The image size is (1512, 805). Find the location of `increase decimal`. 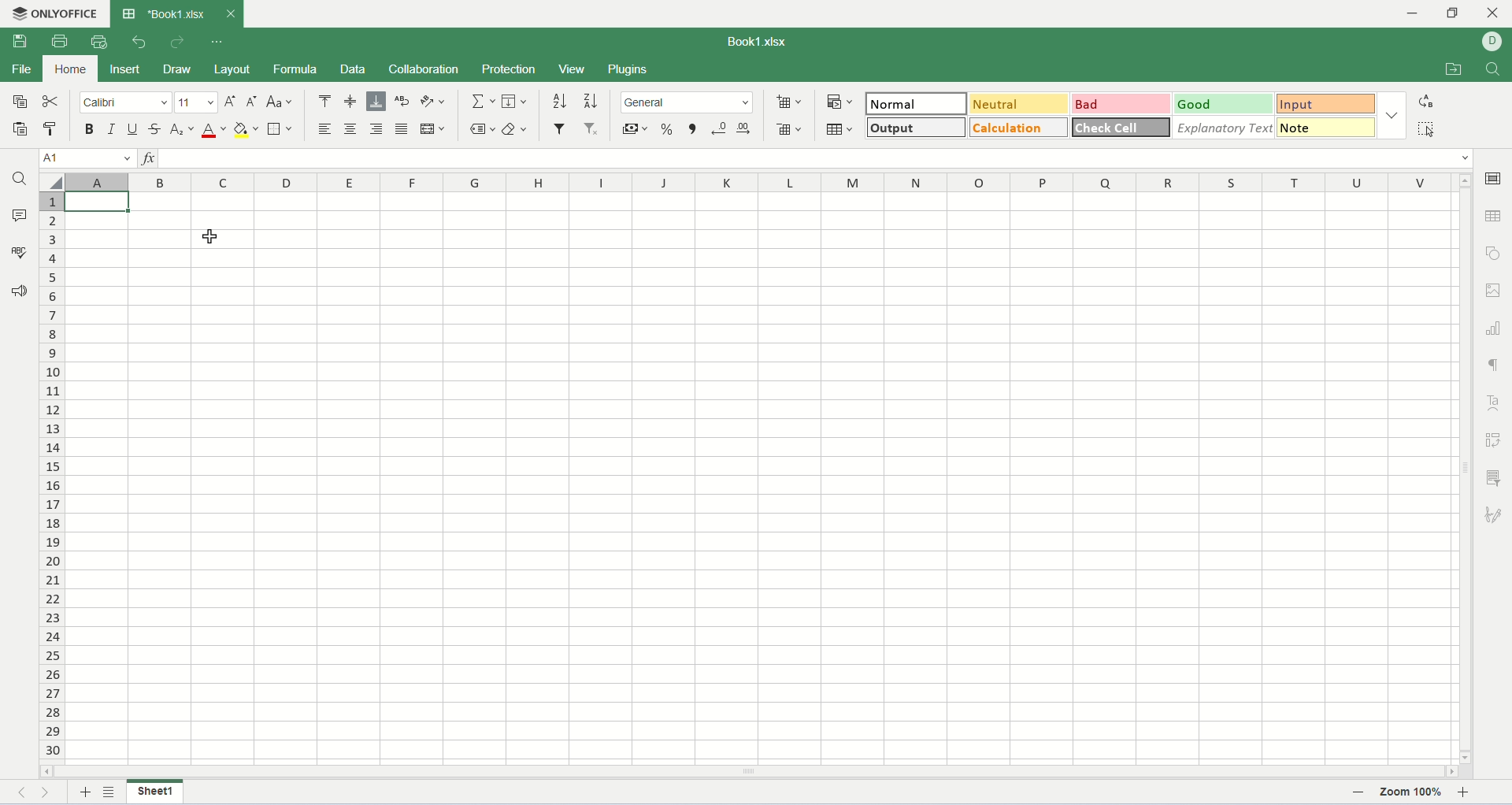

increase decimal is located at coordinates (742, 127).